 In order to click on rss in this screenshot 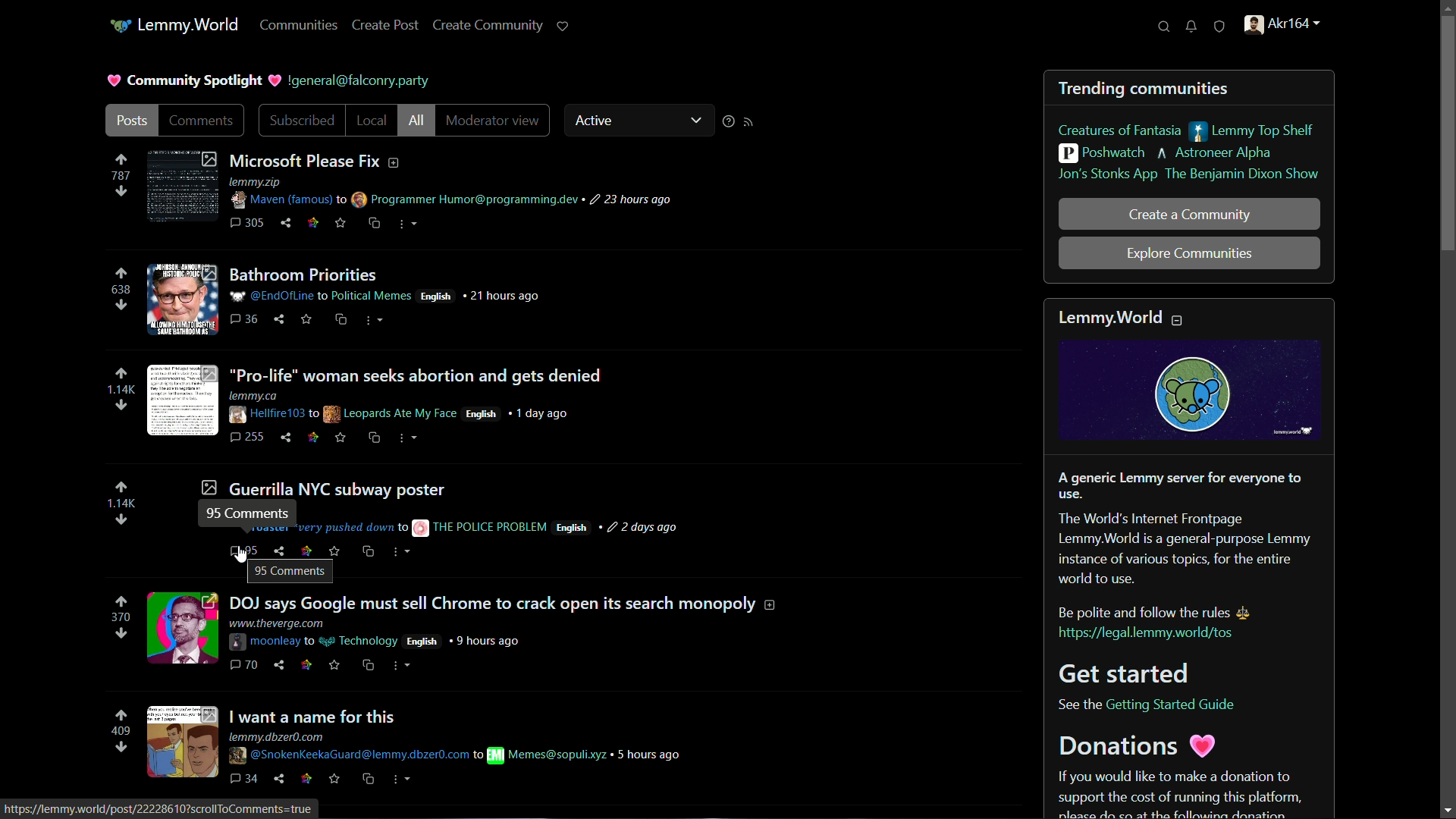, I will do `click(750, 122)`.